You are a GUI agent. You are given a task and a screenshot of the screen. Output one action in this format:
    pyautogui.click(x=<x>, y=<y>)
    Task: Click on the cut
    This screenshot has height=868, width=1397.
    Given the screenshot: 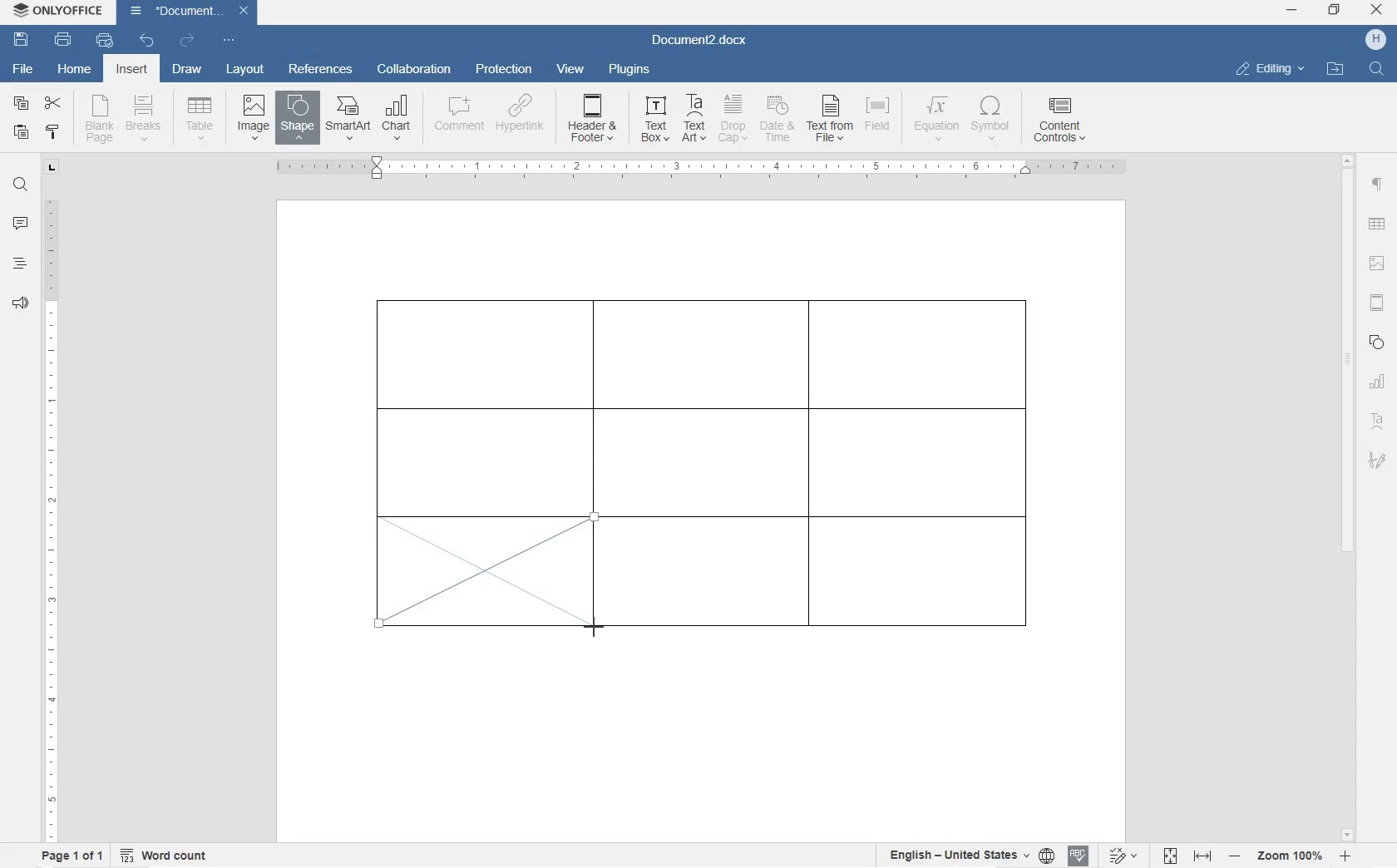 What is the action you would take?
    pyautogui.click(x=52, y=104)
    